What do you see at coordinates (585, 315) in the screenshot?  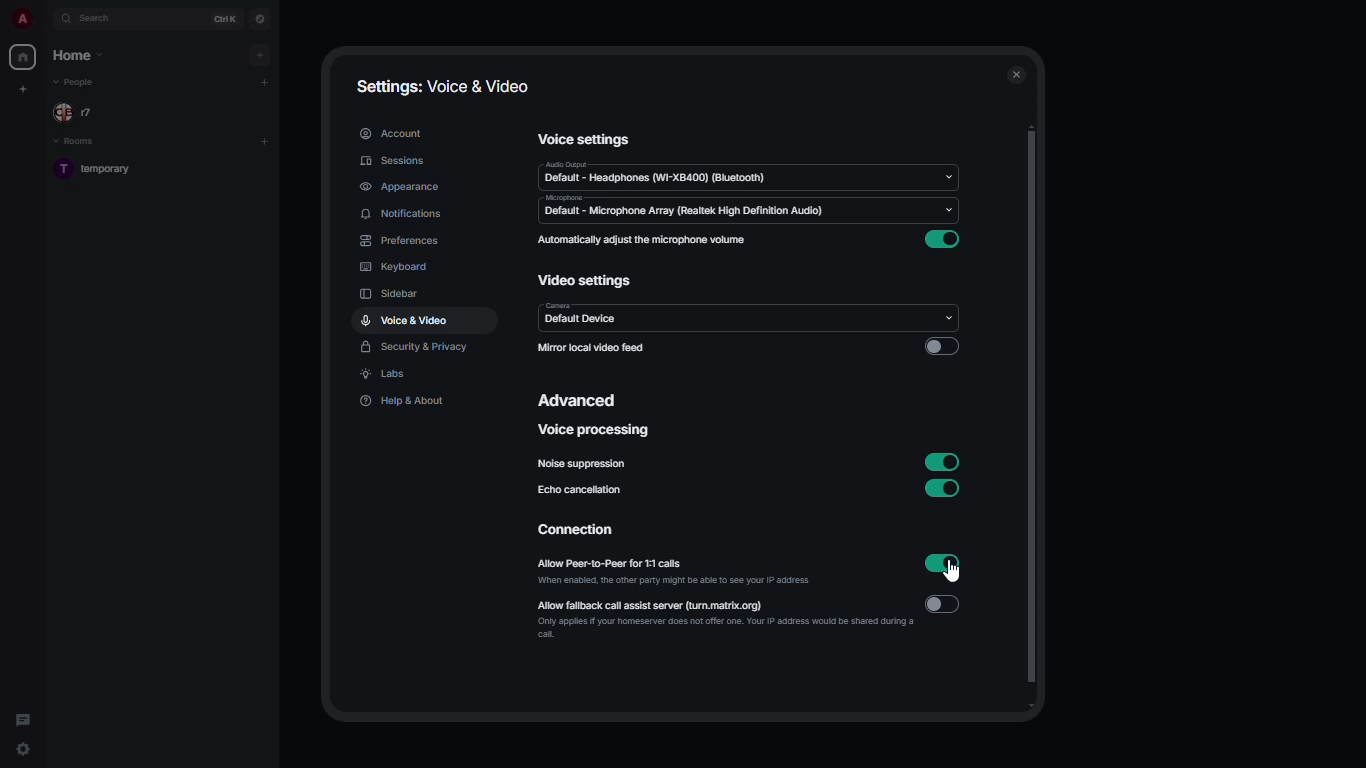 I see `camera default` at bounding box center [585, 315].